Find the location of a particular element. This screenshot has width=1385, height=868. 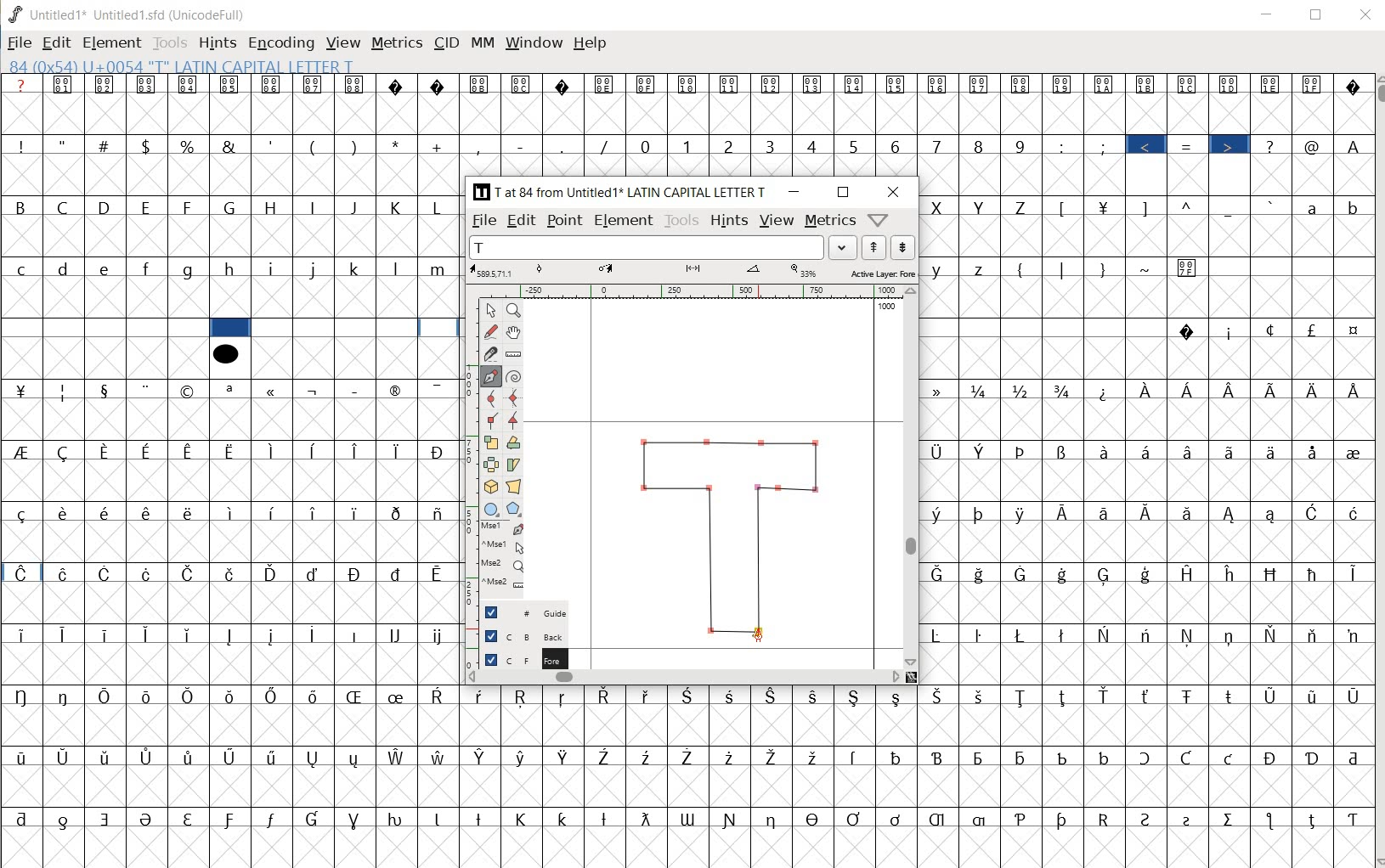

rectangle/ellipse is located at coordinates (491, 508).